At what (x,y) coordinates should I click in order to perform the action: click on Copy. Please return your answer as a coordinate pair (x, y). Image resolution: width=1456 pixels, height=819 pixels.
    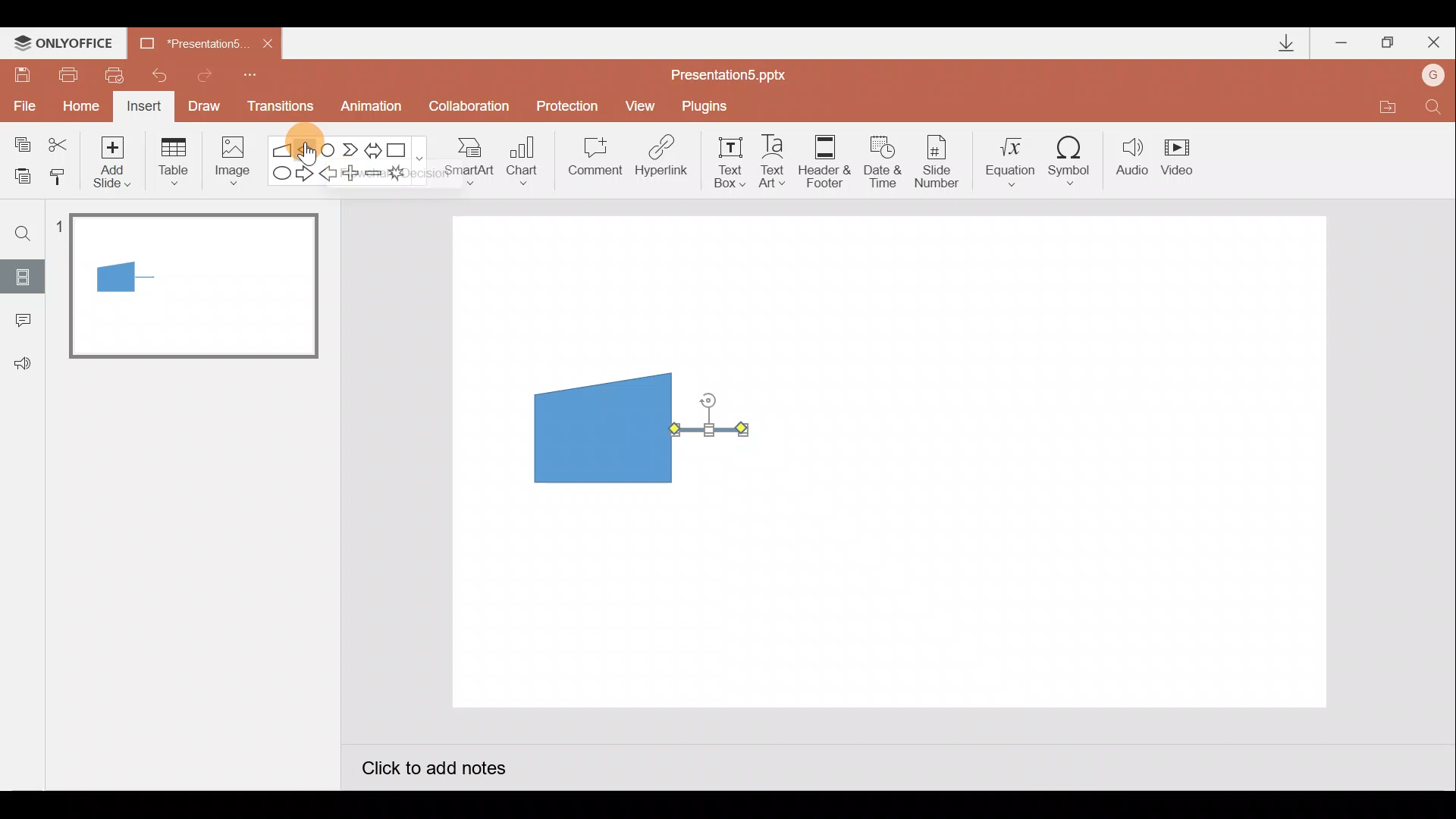
    Looking at the image, I should click on (20, 142).